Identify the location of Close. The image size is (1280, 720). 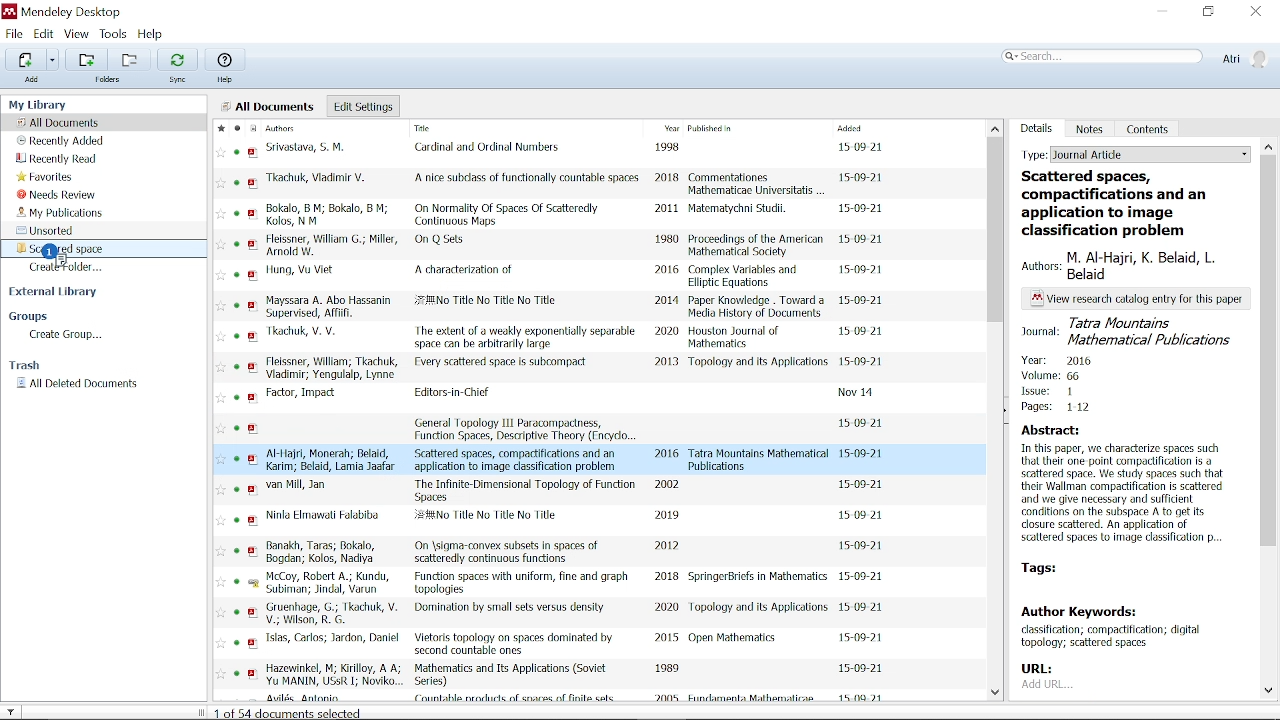
(1257, 12).